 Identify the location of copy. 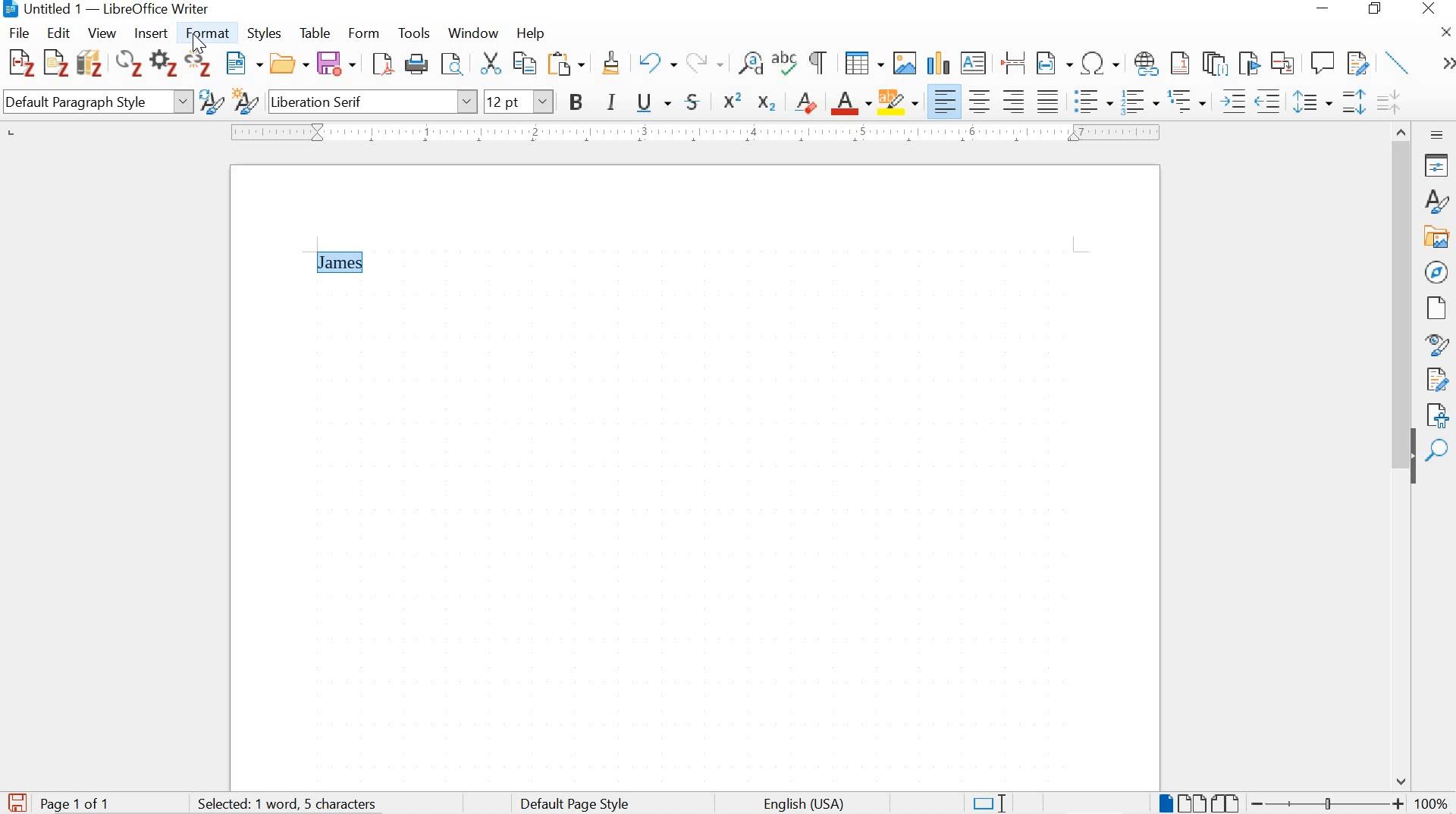
(523, 63).